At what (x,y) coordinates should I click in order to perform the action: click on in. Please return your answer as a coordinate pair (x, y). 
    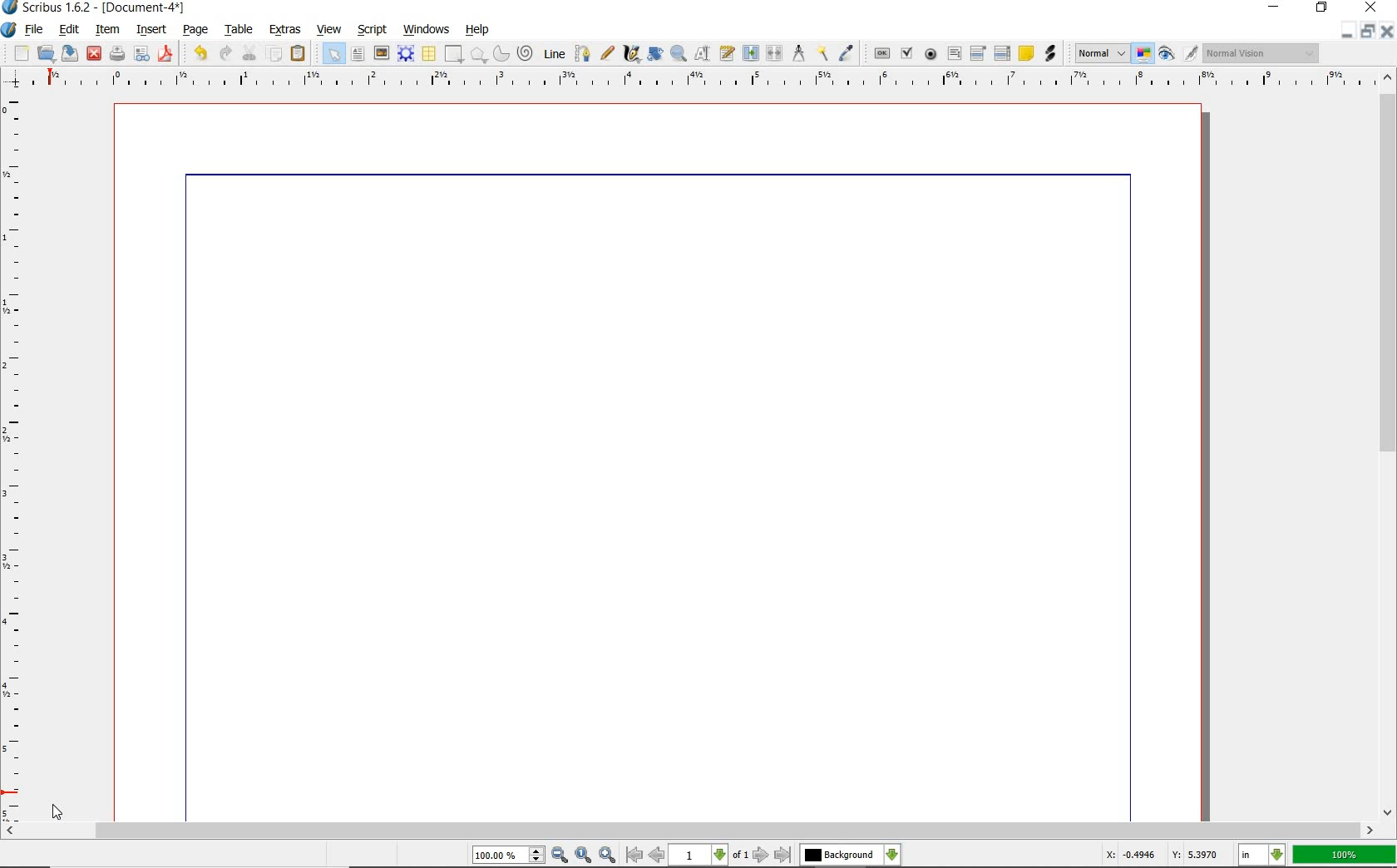
    Looking at the image, I should click on (1262, 856).